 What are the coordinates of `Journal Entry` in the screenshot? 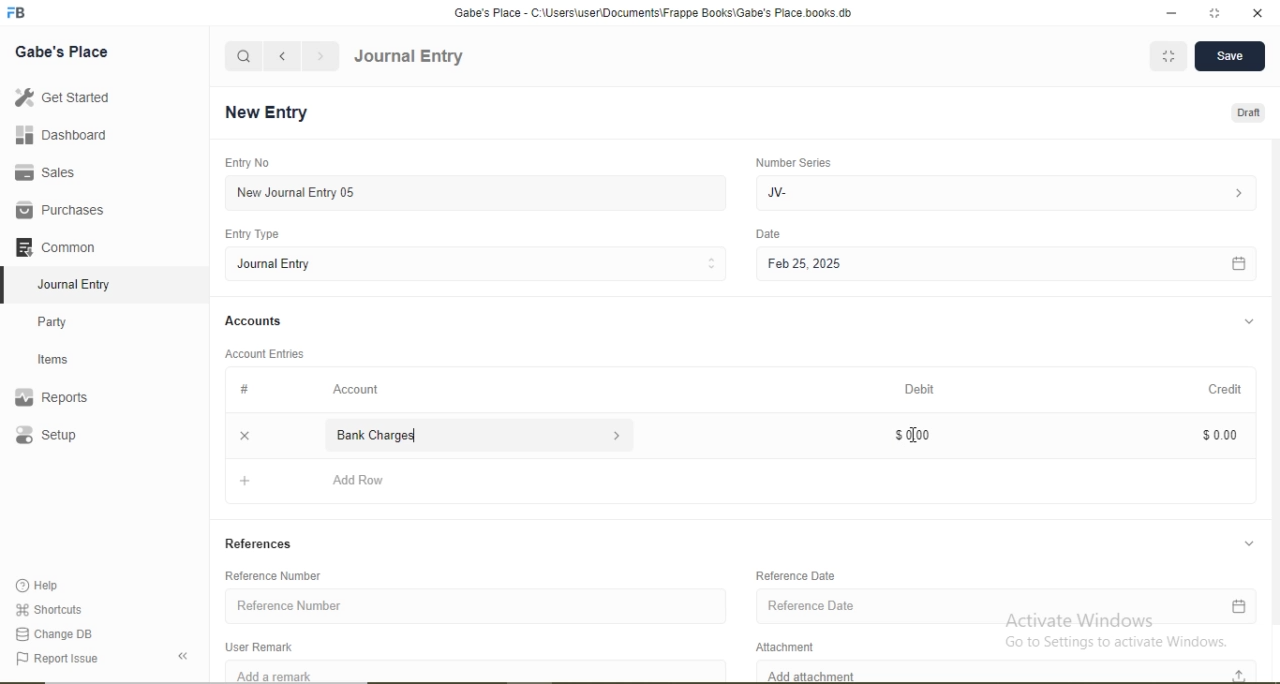 It's located at (80, 282).